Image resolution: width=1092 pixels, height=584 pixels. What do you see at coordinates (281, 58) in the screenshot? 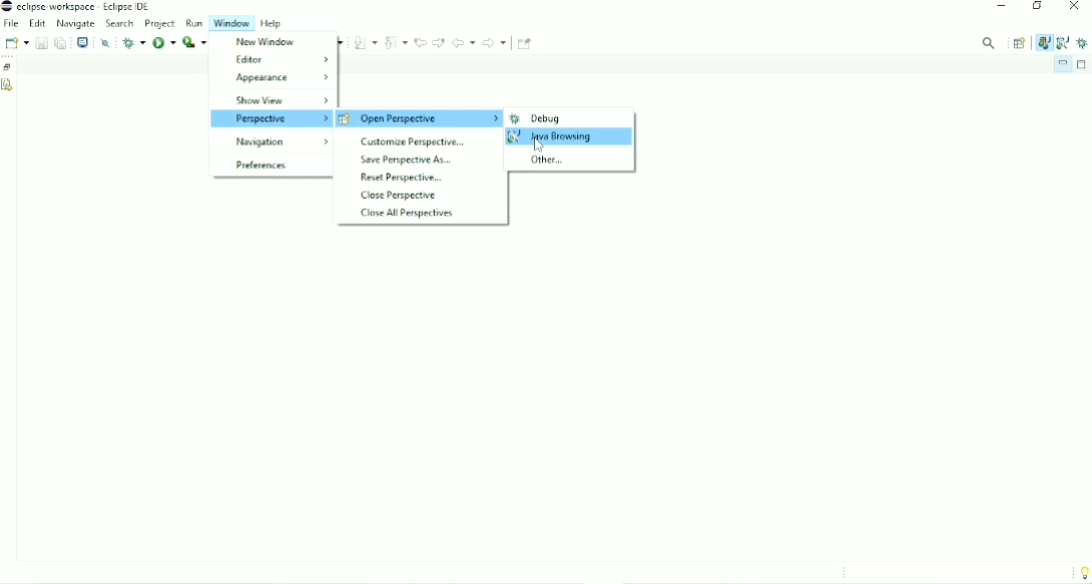
I see `Editor` at bounding box center [281, 58].